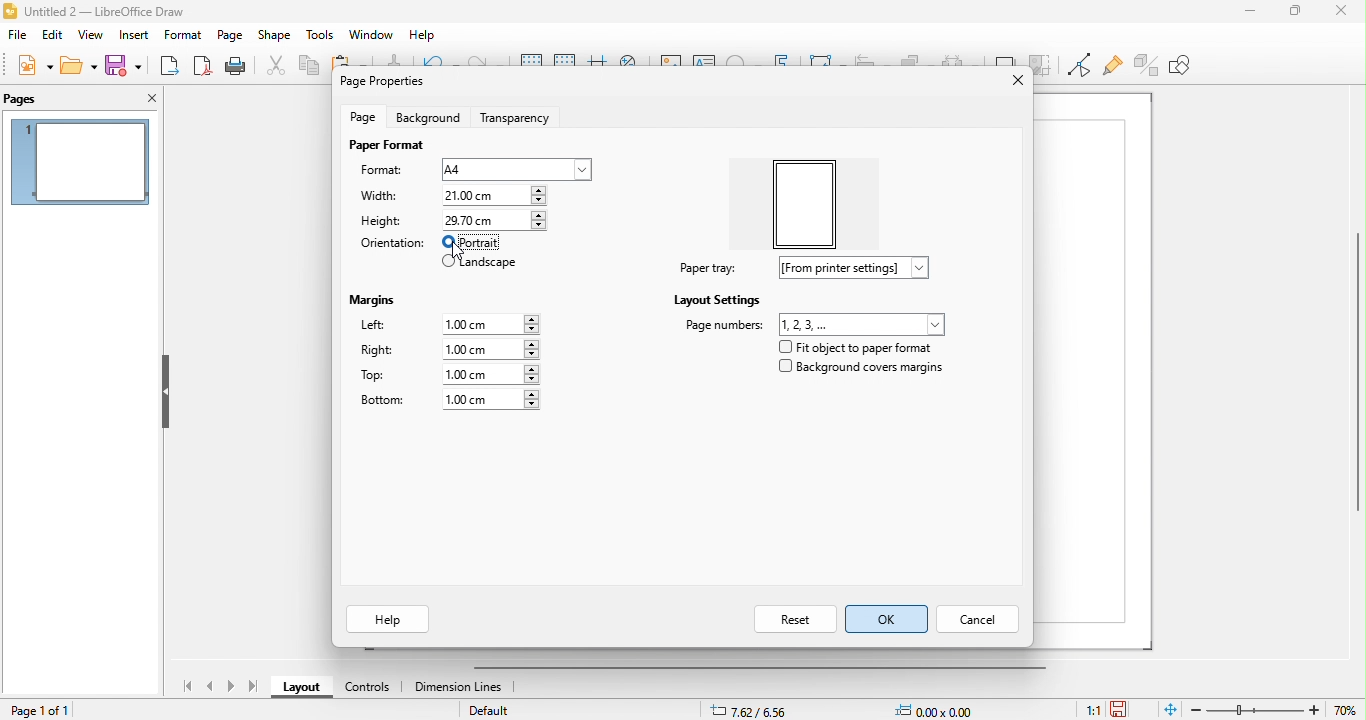  I want to click on 21.00 cm, so click(492, 196).